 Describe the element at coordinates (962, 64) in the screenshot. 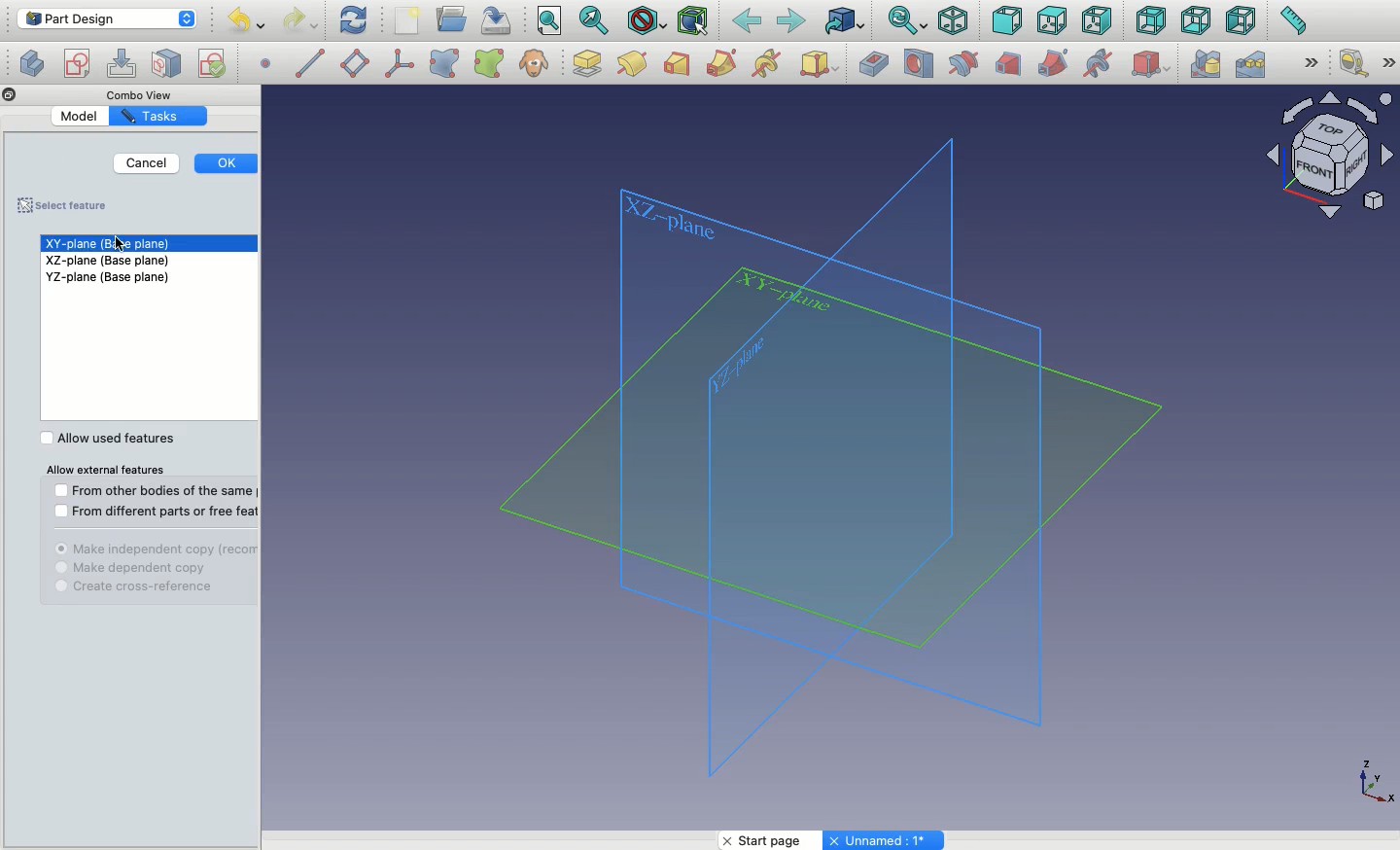

I see `Groove` at that location.